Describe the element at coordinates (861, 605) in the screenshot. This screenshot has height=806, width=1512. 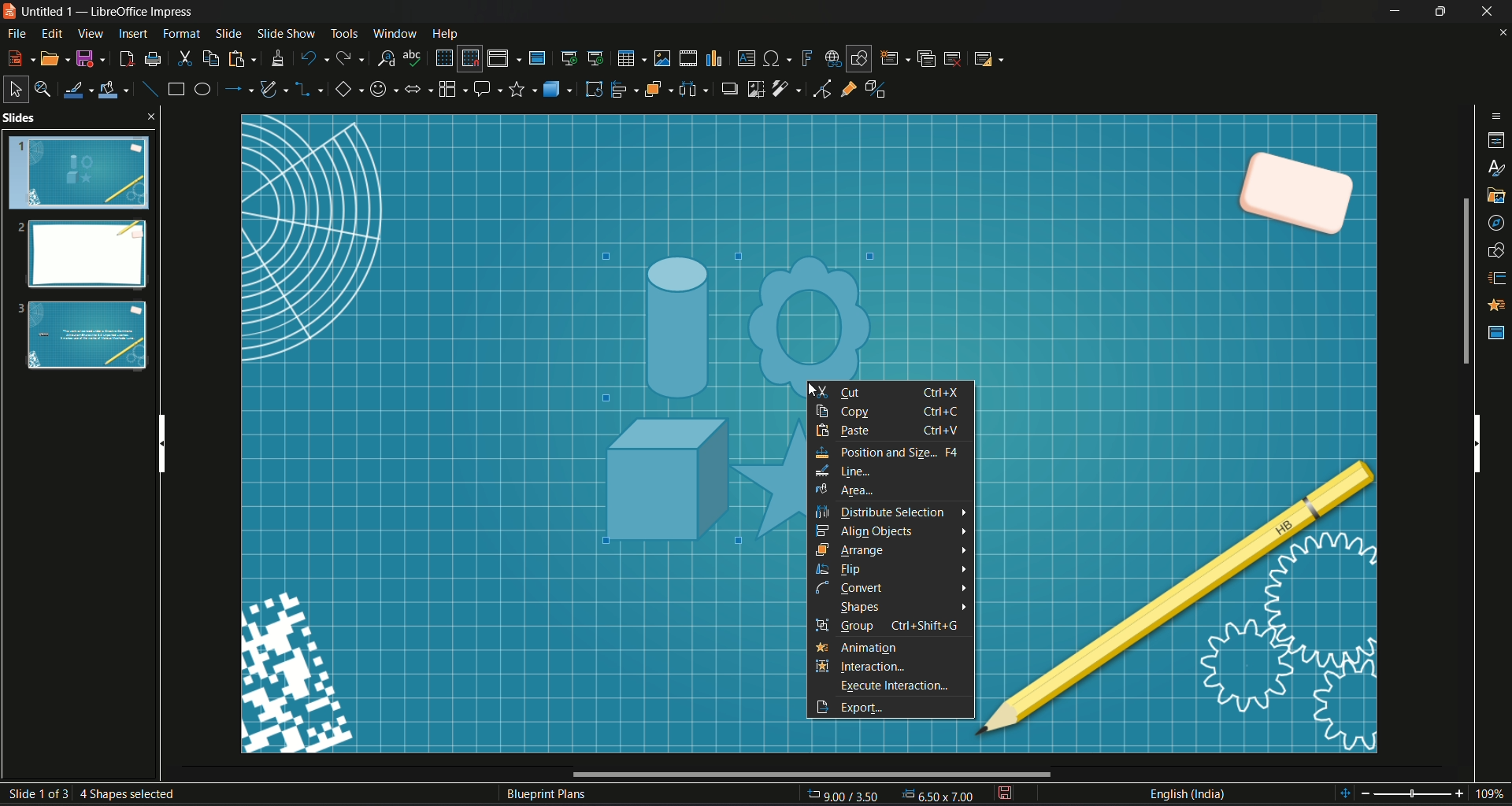
I see `shapes` at that location.